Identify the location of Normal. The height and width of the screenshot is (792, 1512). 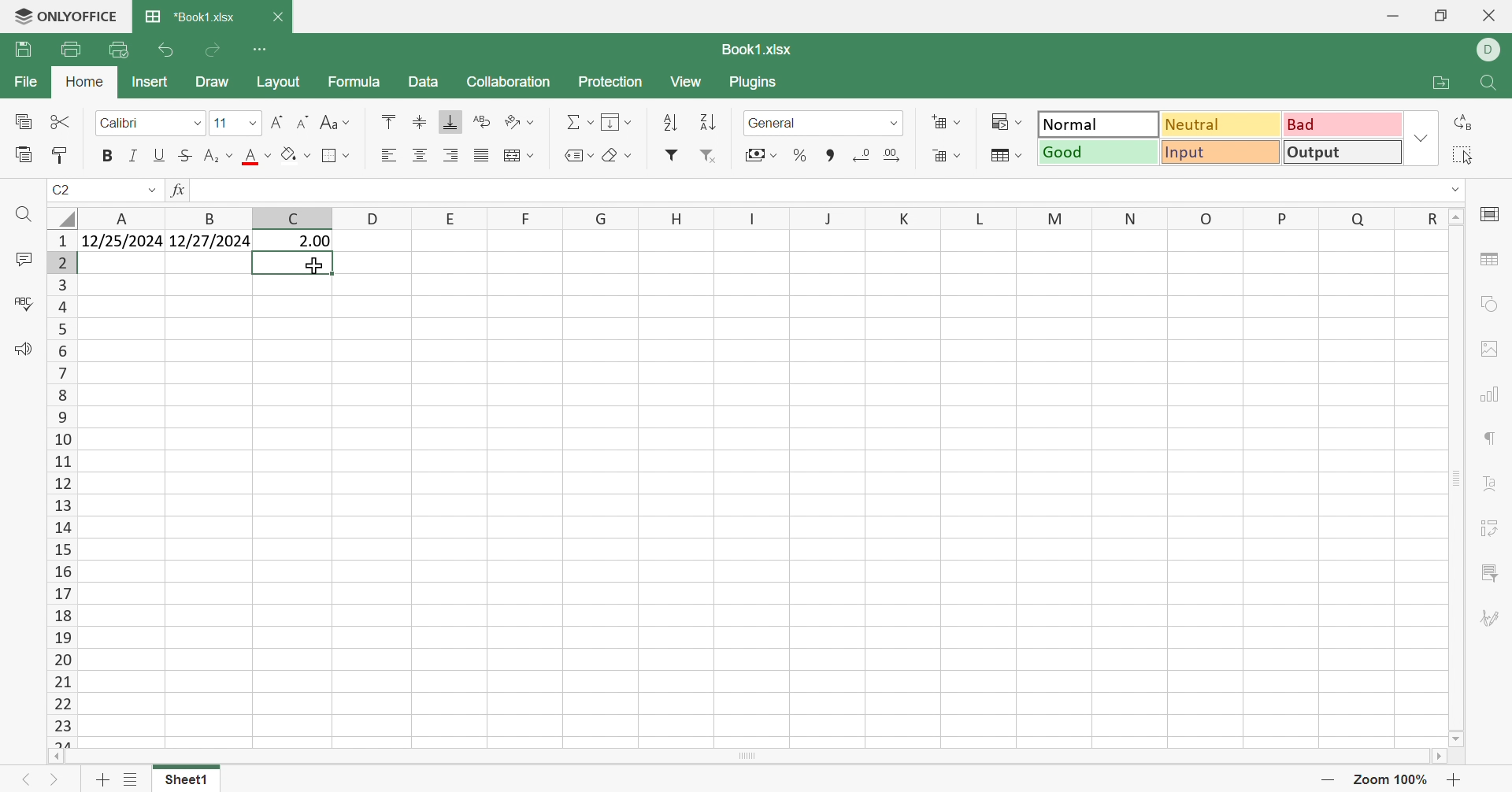
(1099, 124).